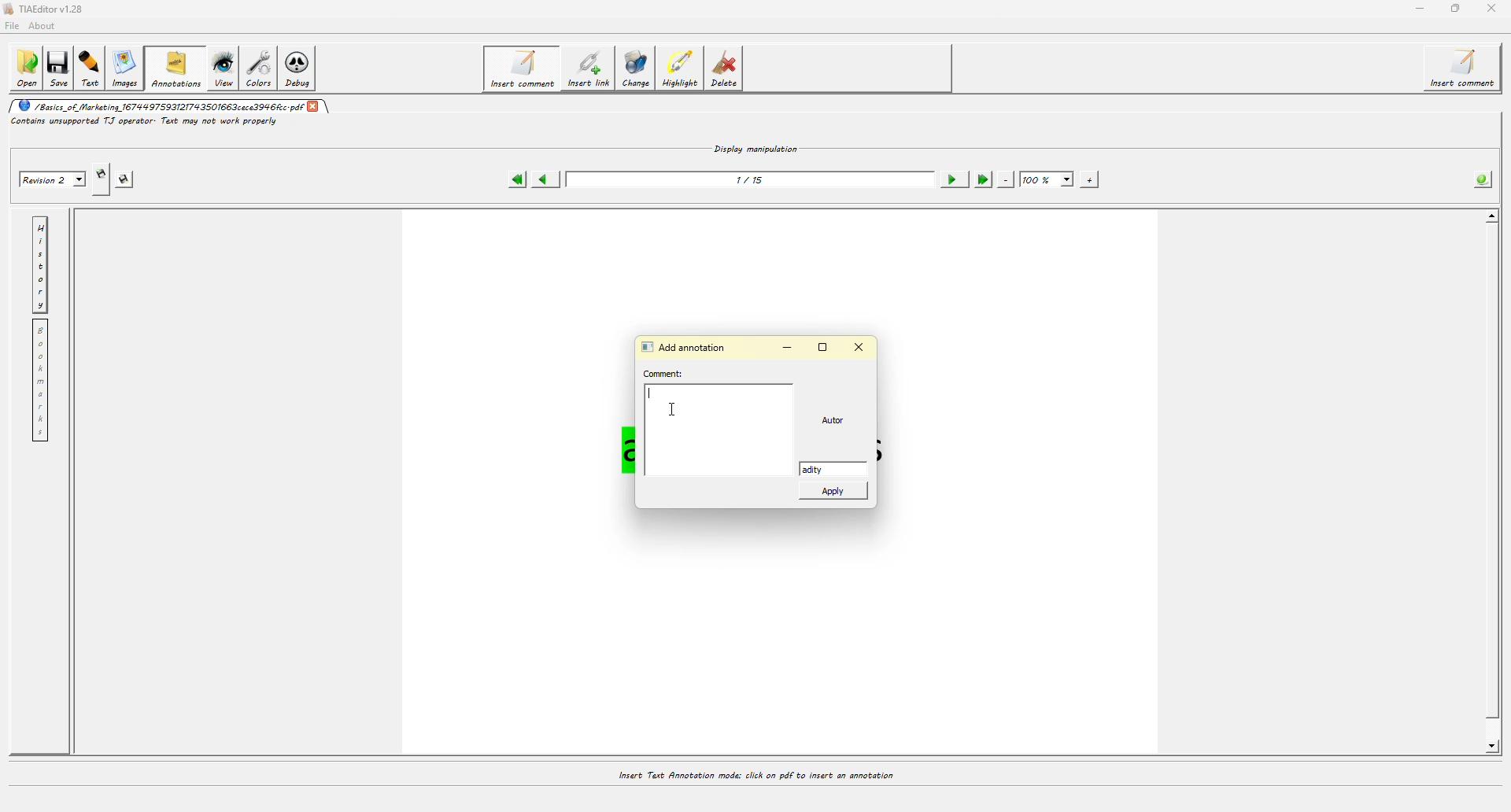  I want to click on Autor, so click(838, 421).